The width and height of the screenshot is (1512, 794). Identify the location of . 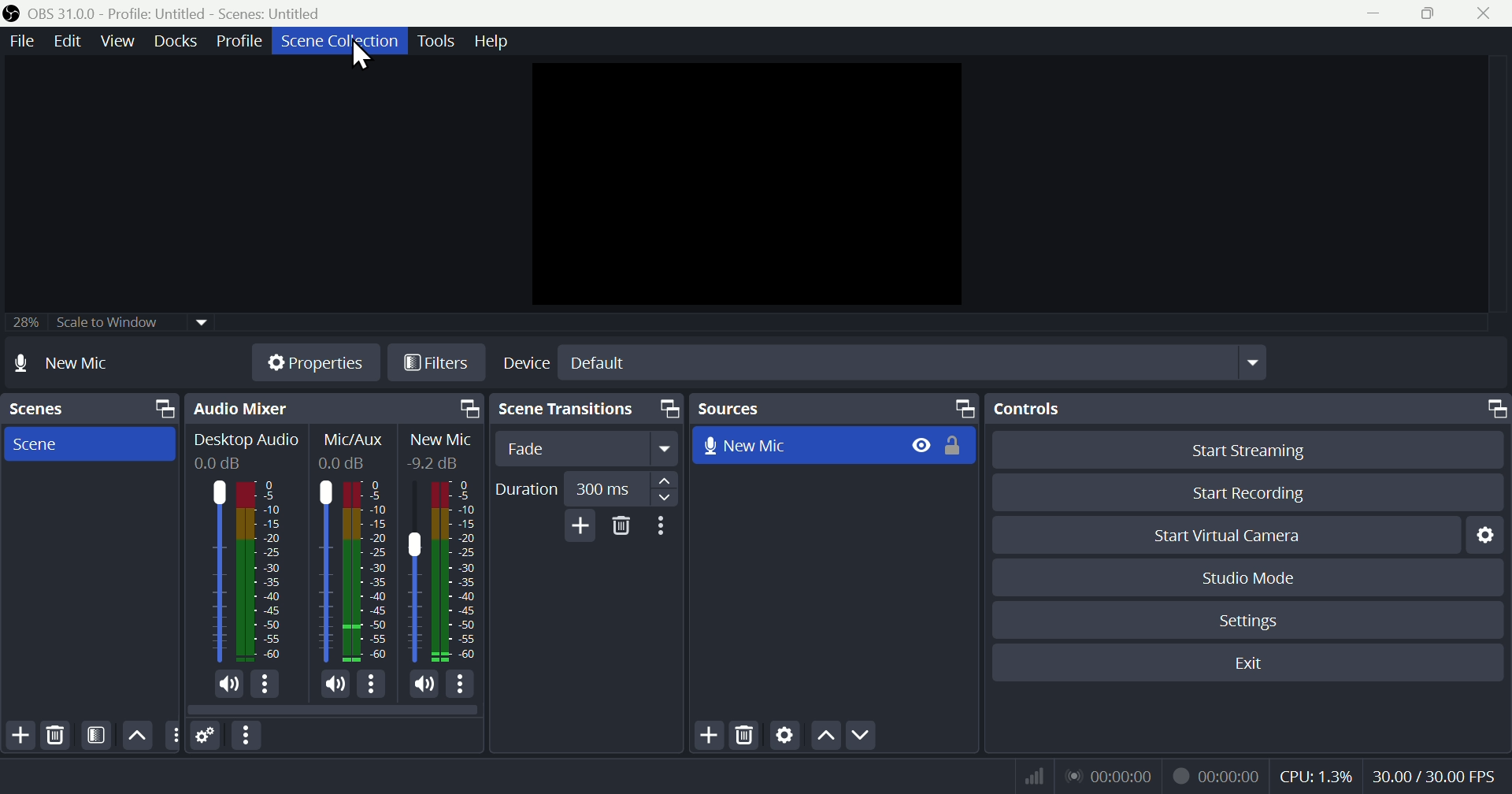
(174, 736).